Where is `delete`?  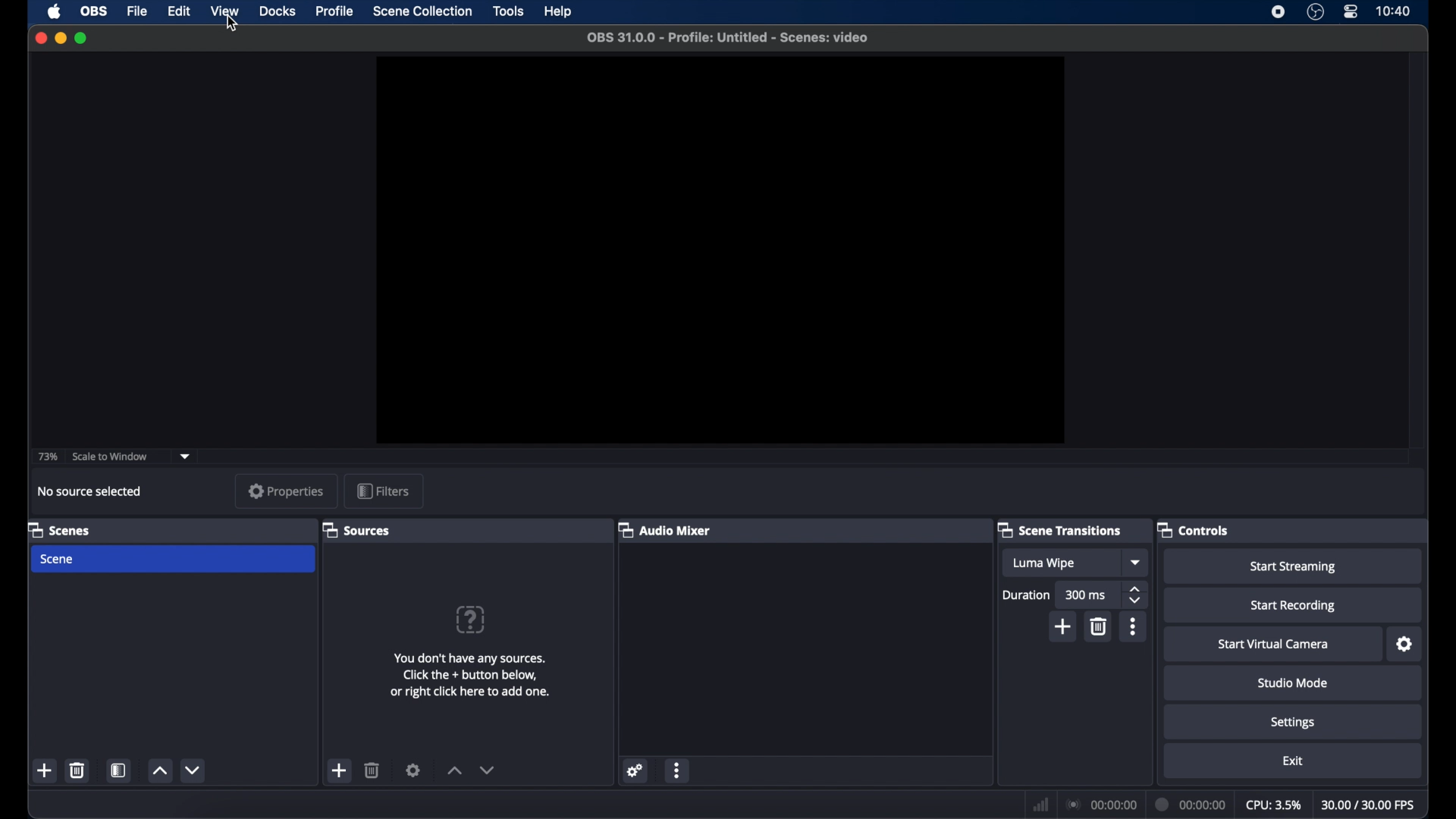
delete is located at coordinates (373, 770).